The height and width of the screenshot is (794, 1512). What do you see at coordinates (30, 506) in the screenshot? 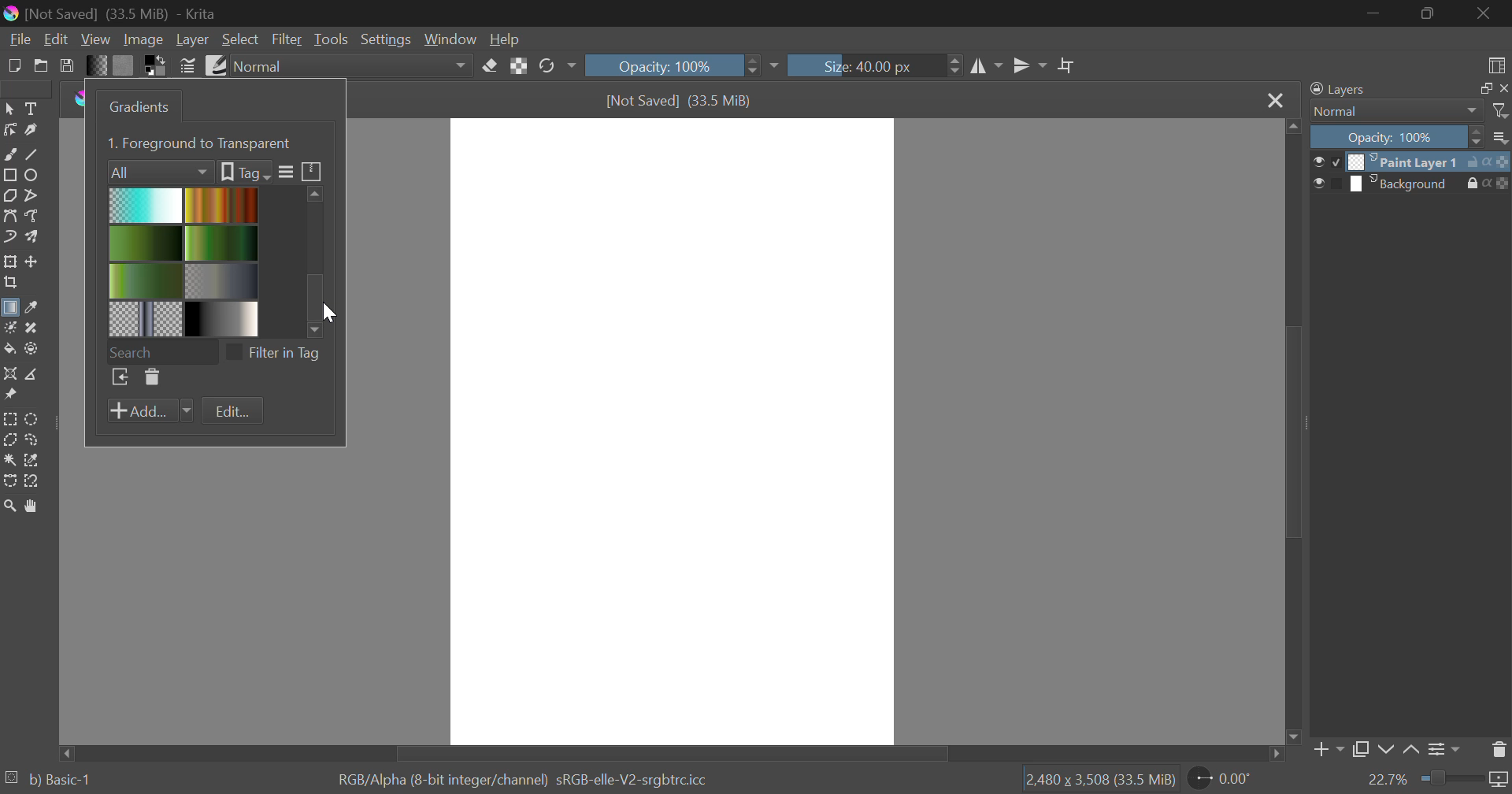
I see `Pan` at bounding box center [30, 506].